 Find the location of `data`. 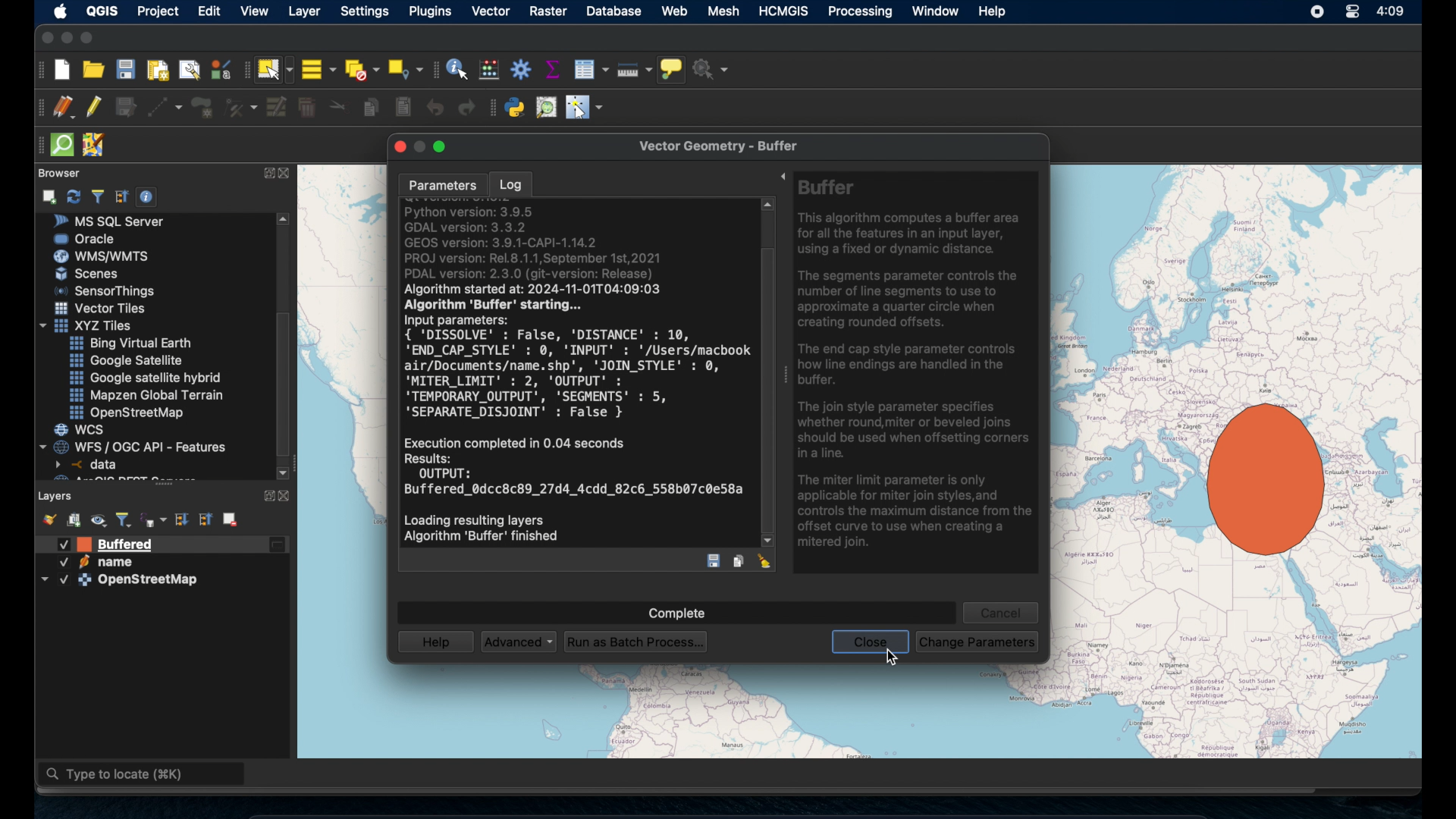

data is located at coordinates (89, 464).